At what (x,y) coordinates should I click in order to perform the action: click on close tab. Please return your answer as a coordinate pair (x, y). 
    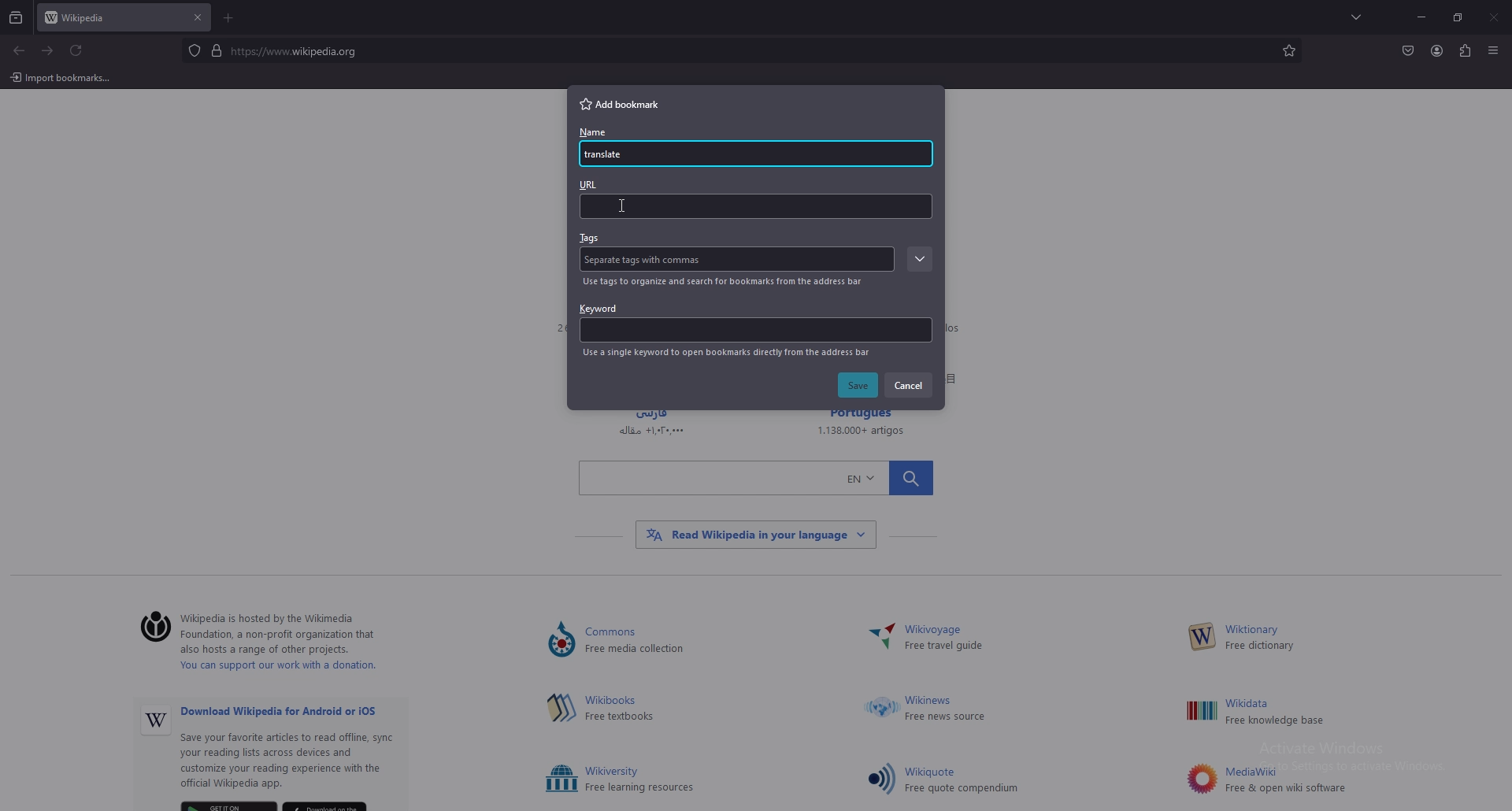
    Looking at the image, I should click on (198, 17).